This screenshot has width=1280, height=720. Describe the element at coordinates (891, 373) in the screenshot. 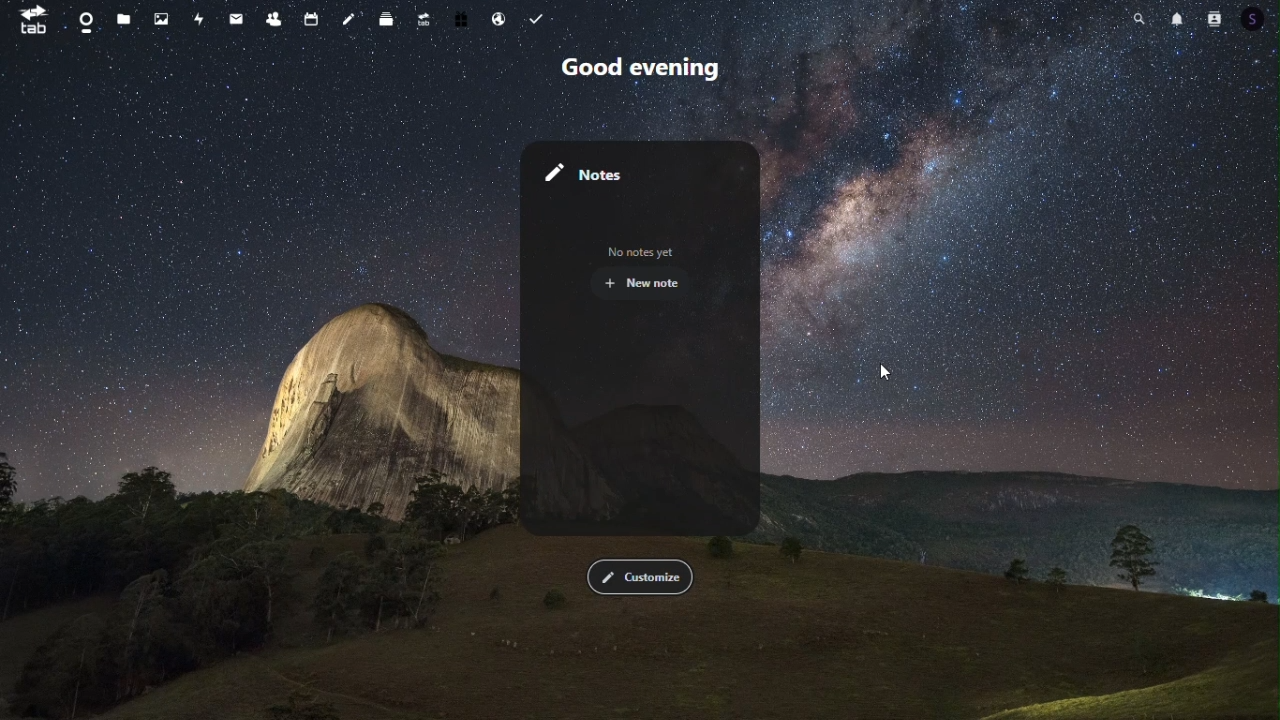

I see `Cursor` at that location.